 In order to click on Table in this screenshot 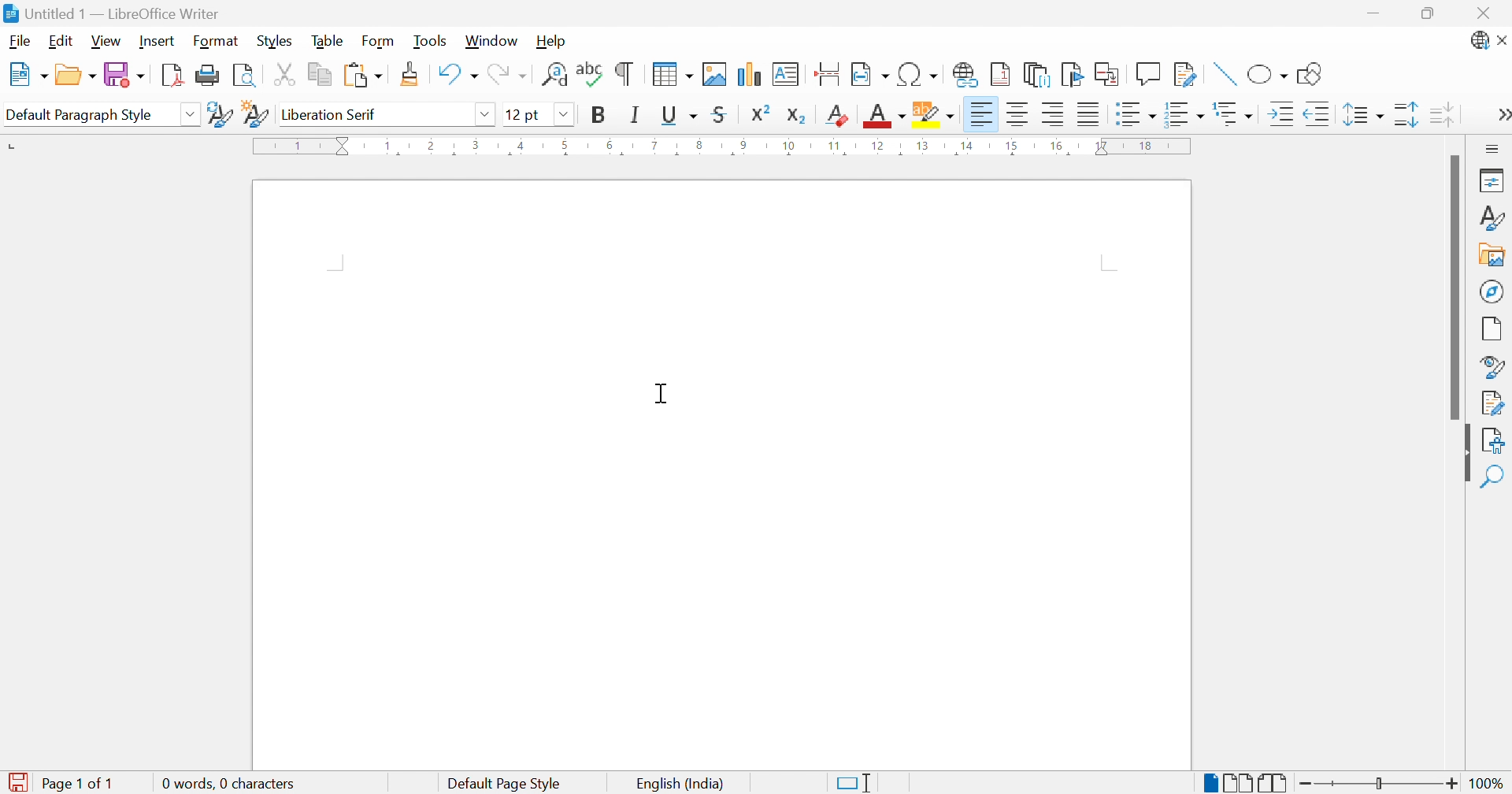, I will do `click(328, 39)`.